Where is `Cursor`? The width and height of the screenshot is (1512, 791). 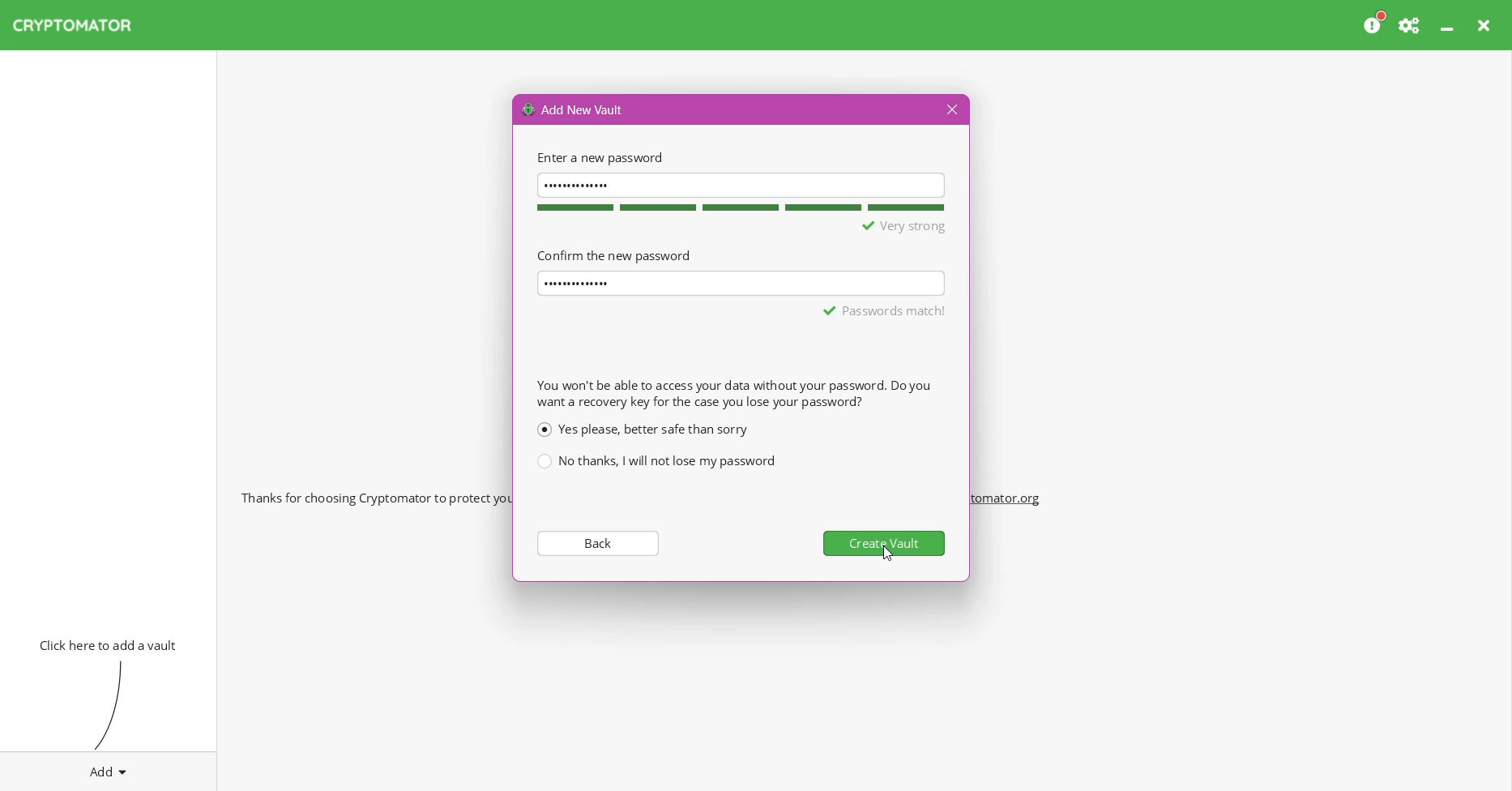
Cursor is located at coordinates (888, 554).